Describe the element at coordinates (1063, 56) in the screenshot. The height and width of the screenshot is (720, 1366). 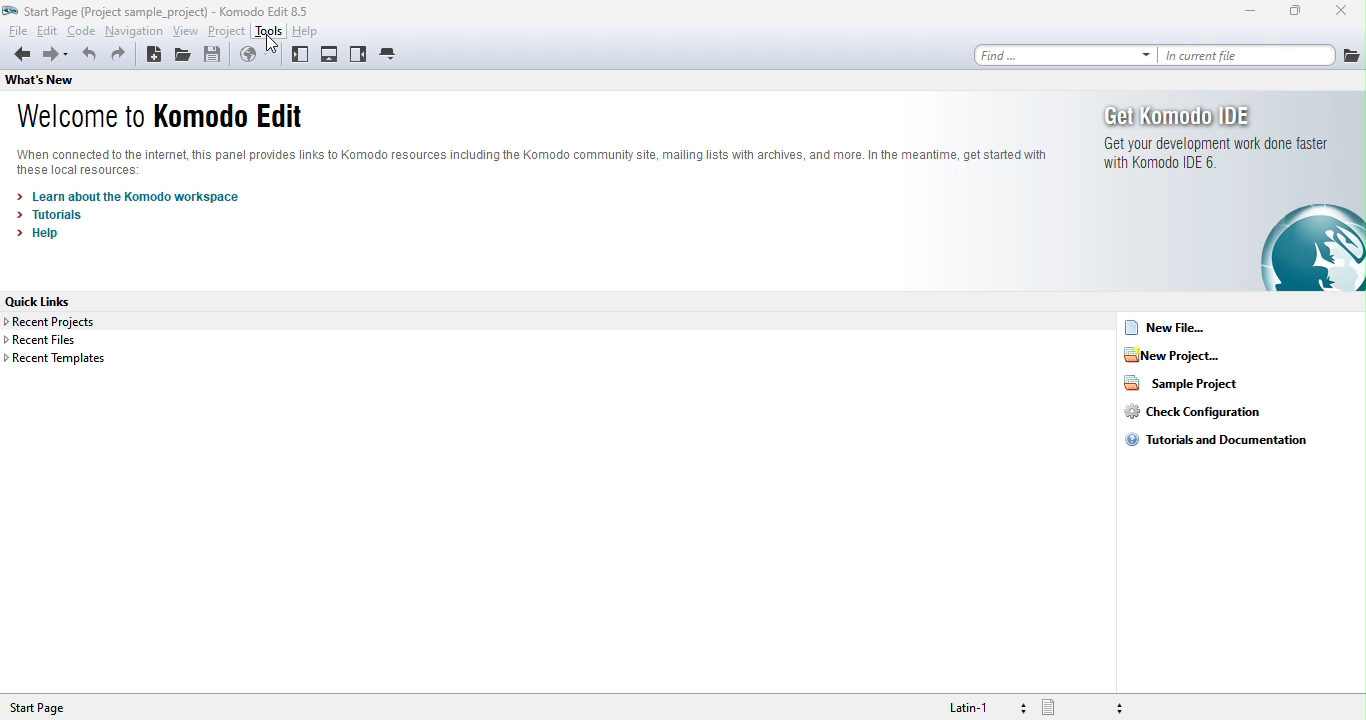
I see `find` at that location.